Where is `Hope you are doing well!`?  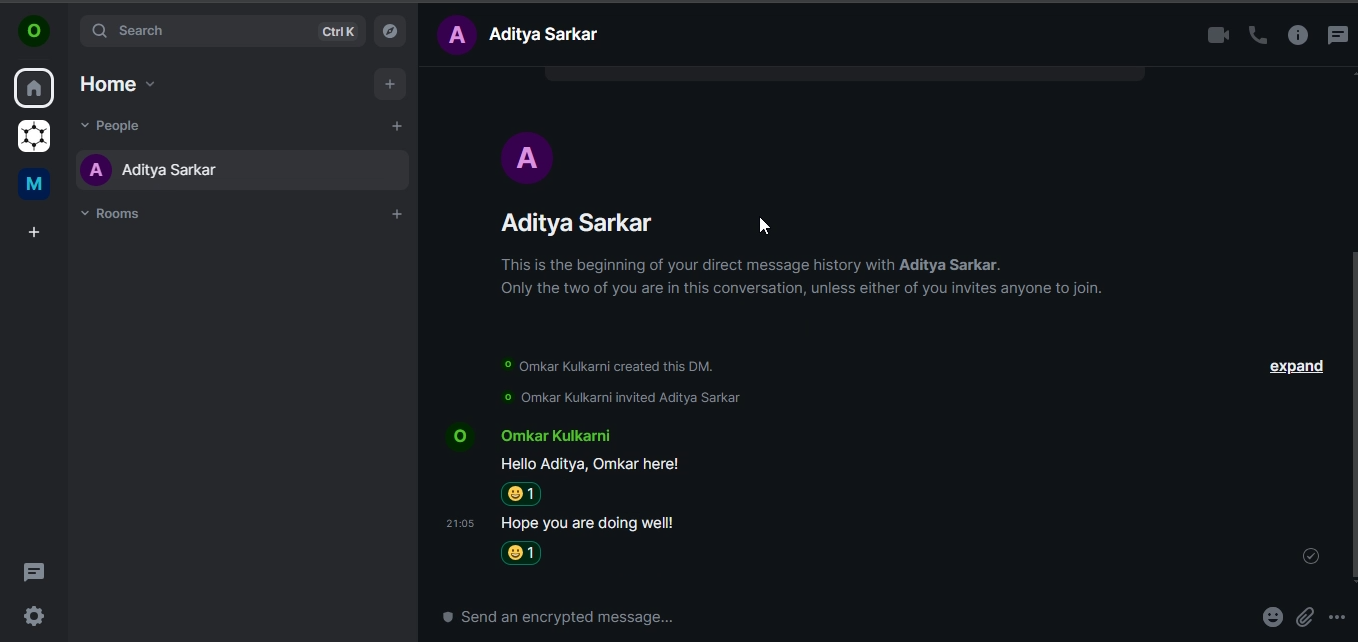
Hope you are doing well! is located at coordinates (597, 524).